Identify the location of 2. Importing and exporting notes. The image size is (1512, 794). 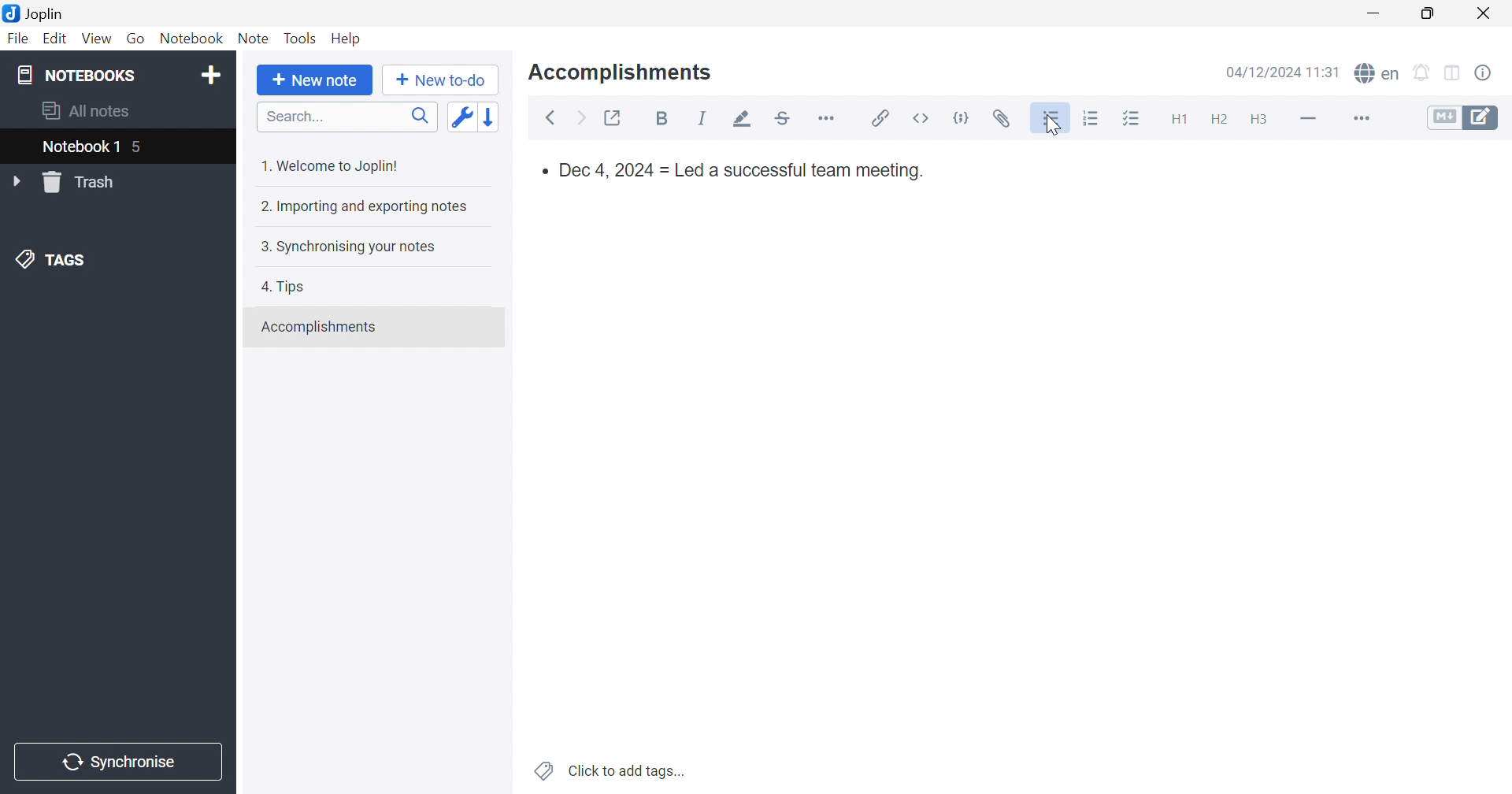
(365, 208).